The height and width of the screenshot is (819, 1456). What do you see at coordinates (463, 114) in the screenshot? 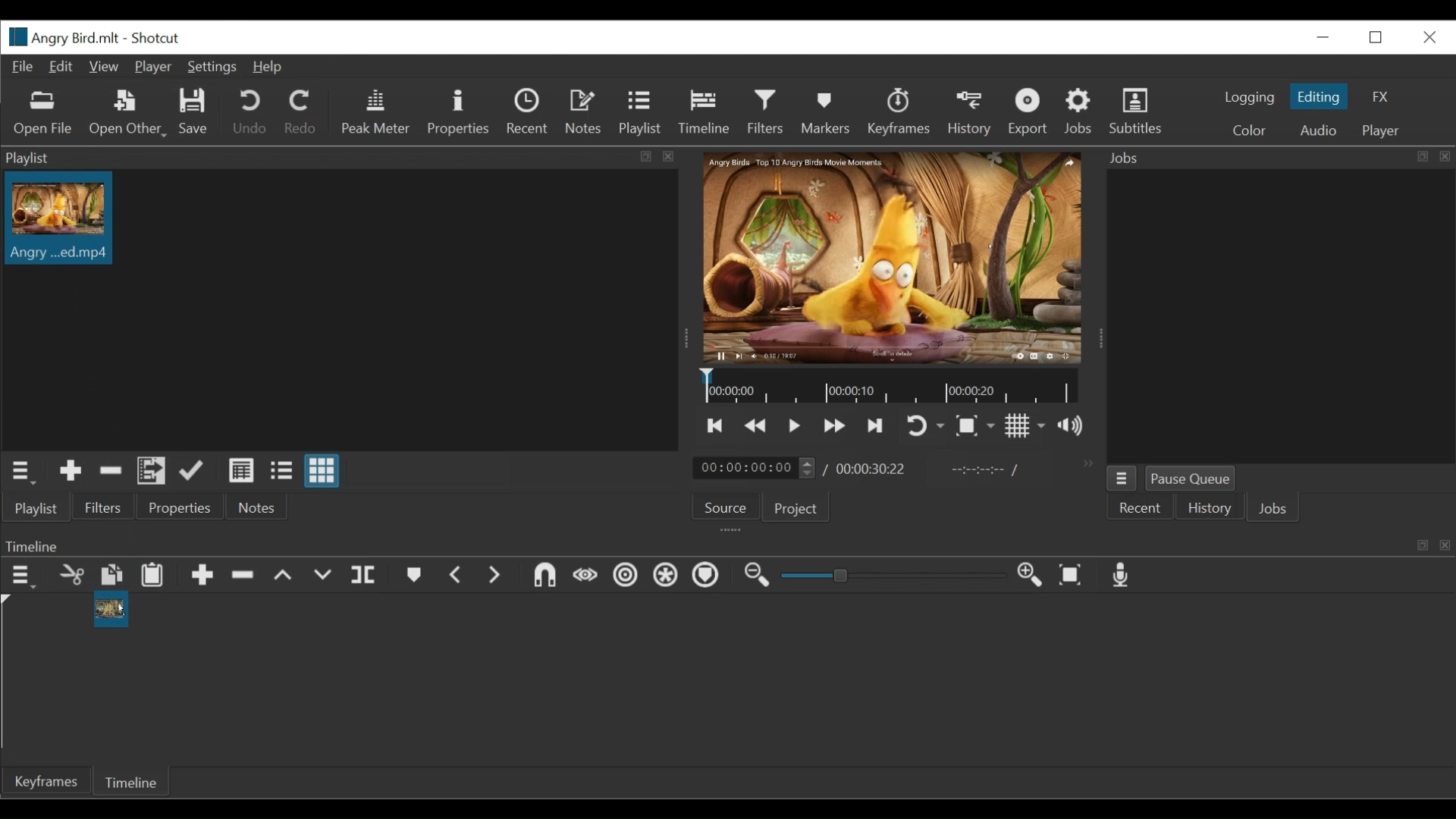
I see `Properties` at bounding box center [463, 114].